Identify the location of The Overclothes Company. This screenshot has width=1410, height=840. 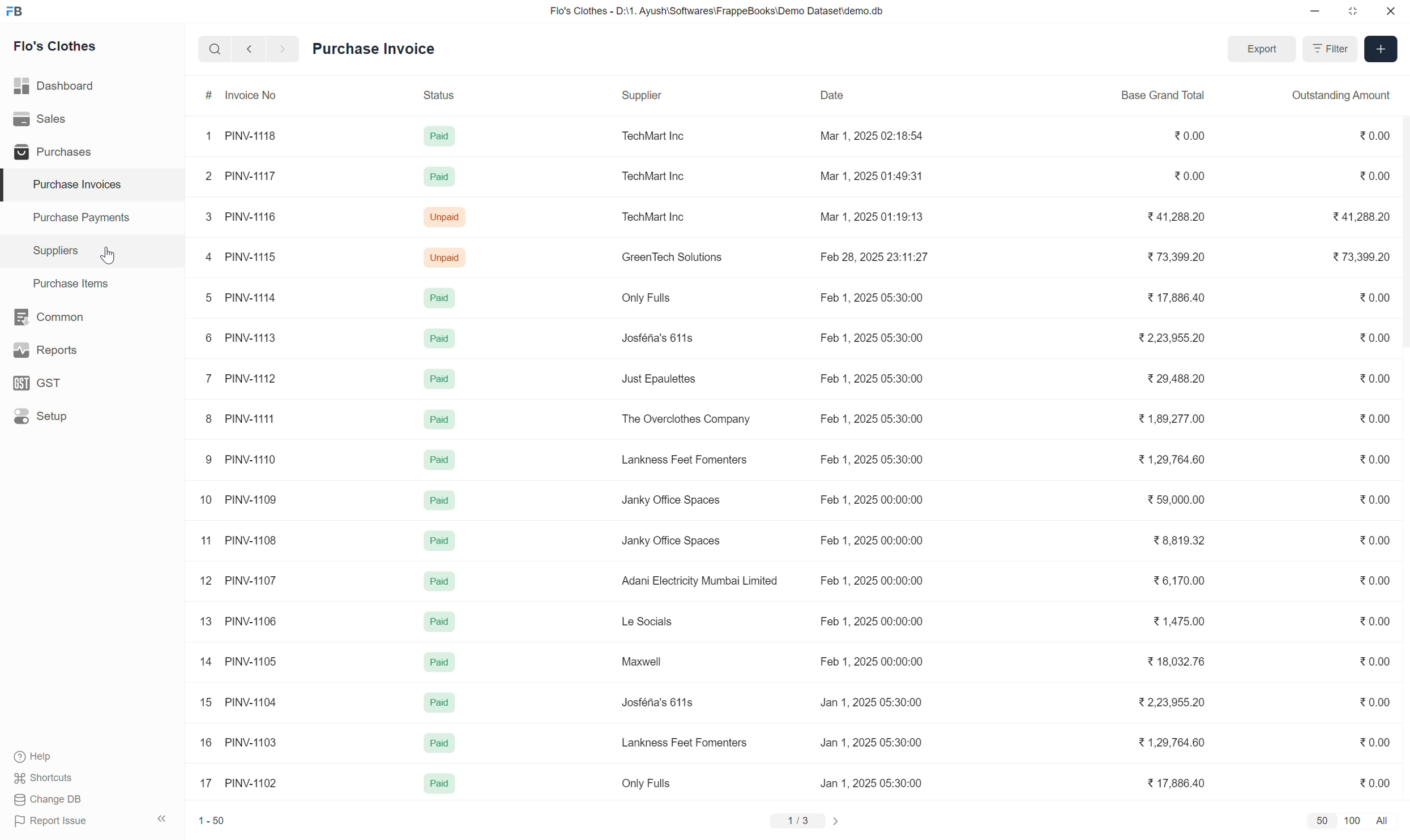
(684, 418).